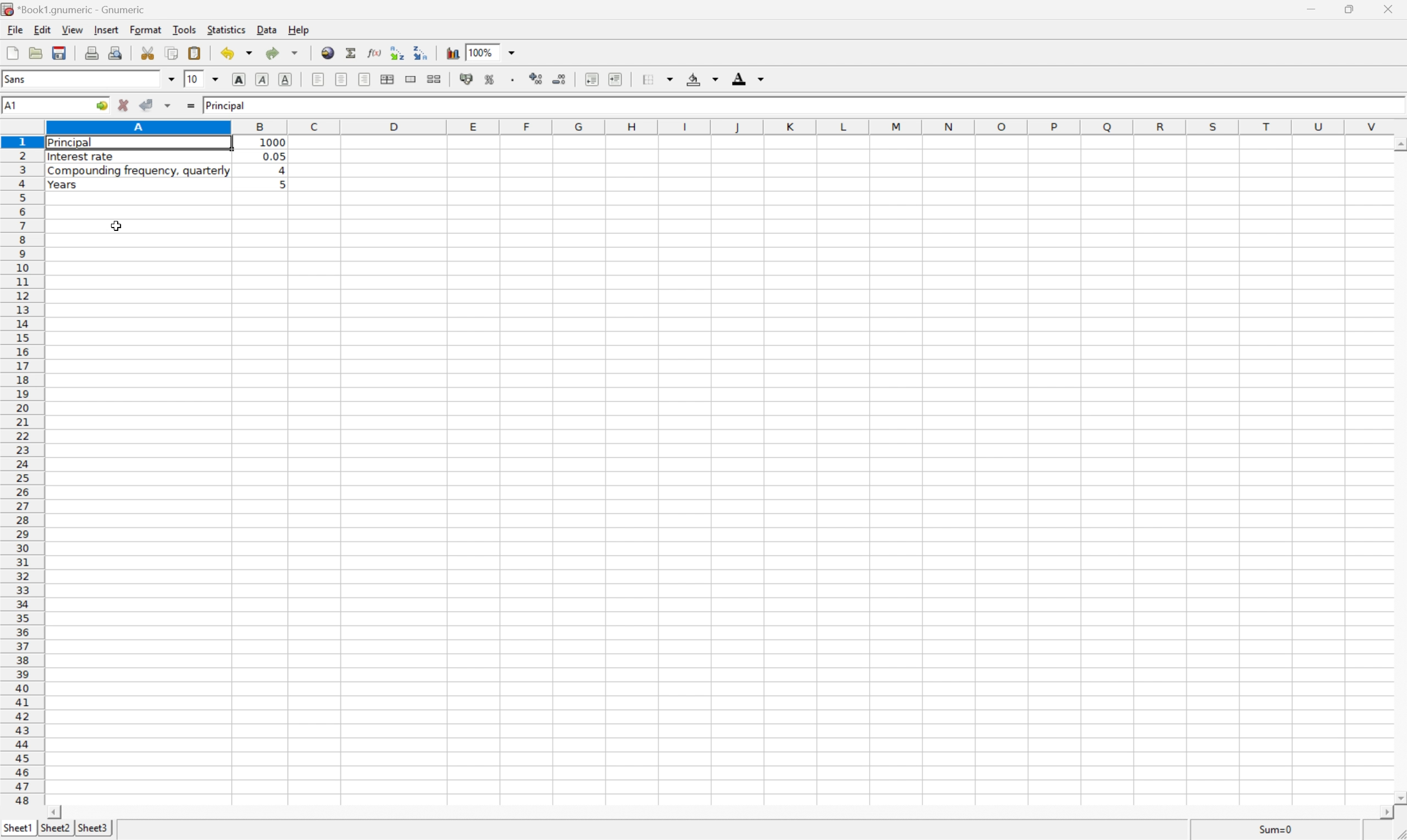 The image size is (1407, 840). Describe the element at coordinates (136, 172) in the screenshot. I see `compounding frequency, quarterly` at that location.